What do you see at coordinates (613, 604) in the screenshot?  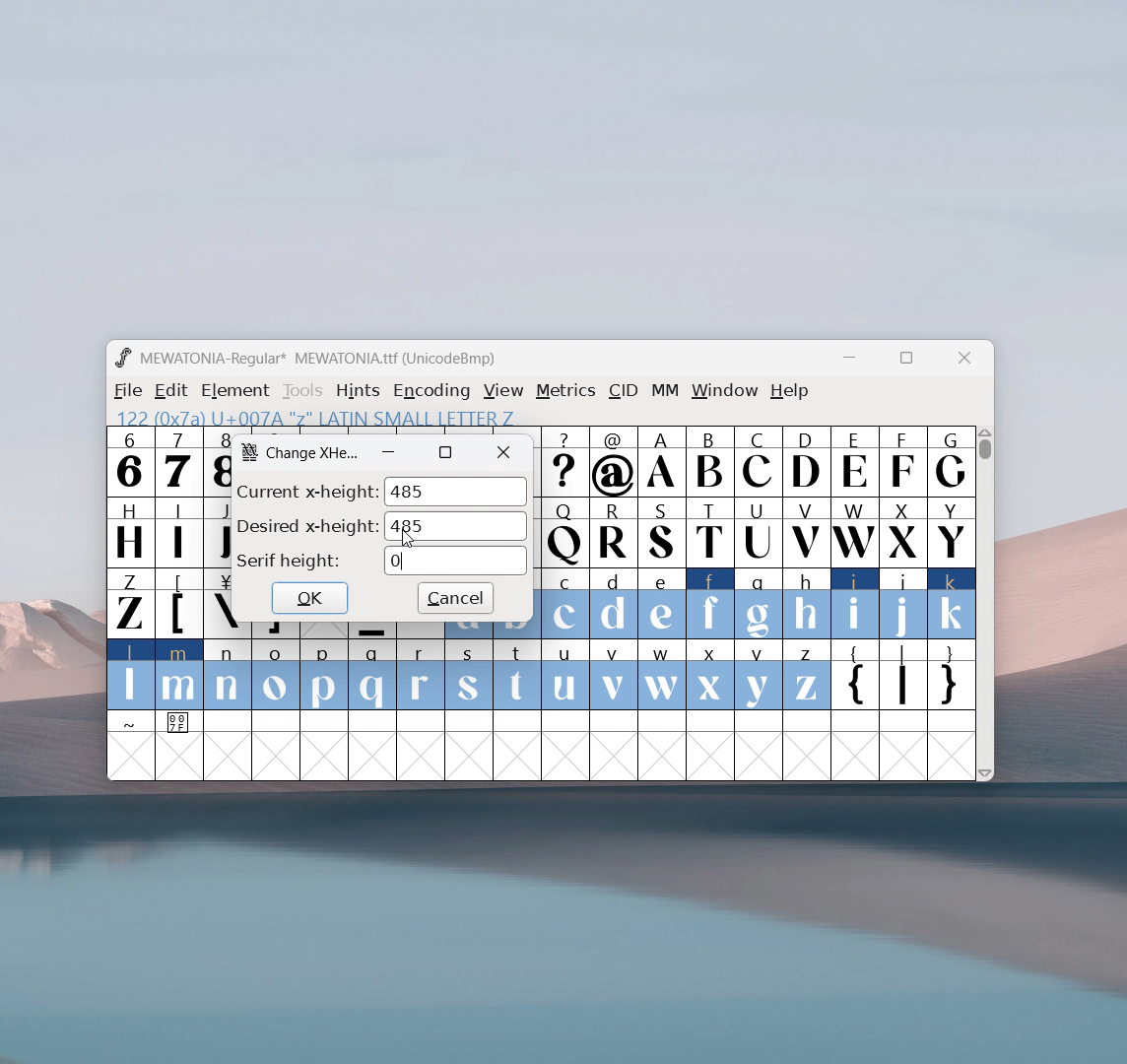 I see `d` at bounding box center [613, 604].